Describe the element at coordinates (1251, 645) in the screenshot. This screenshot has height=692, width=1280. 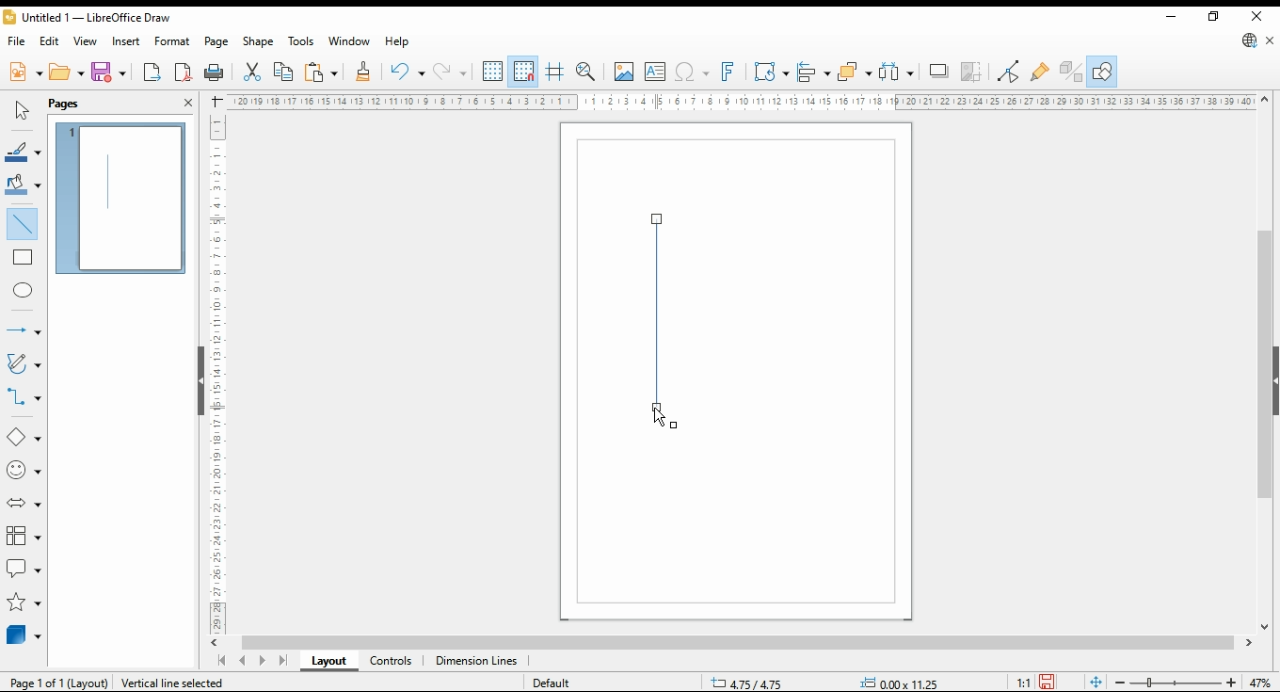
I see `move right` at that location.